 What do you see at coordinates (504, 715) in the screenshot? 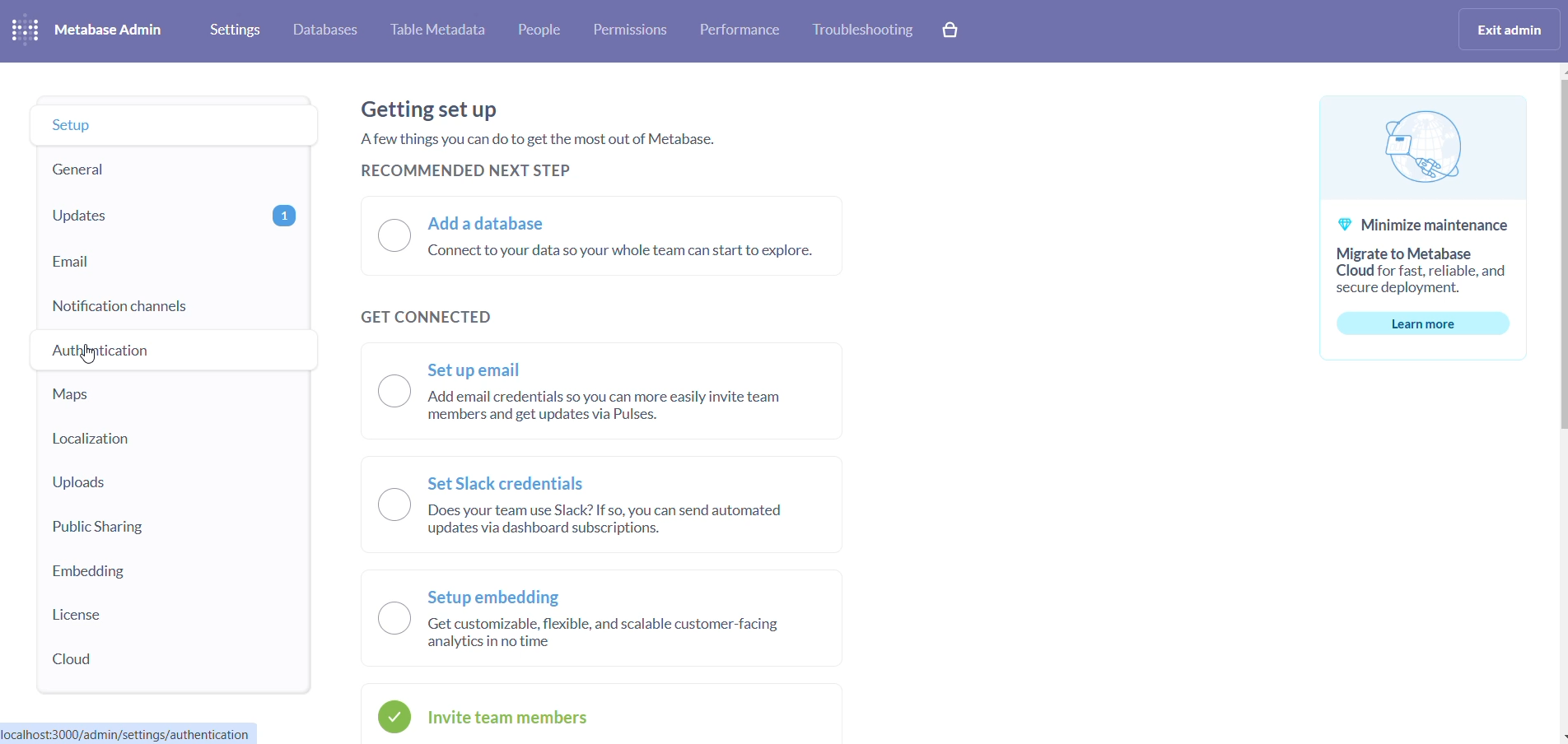
I see `invite checkbox` at bounding box center [504, 715].